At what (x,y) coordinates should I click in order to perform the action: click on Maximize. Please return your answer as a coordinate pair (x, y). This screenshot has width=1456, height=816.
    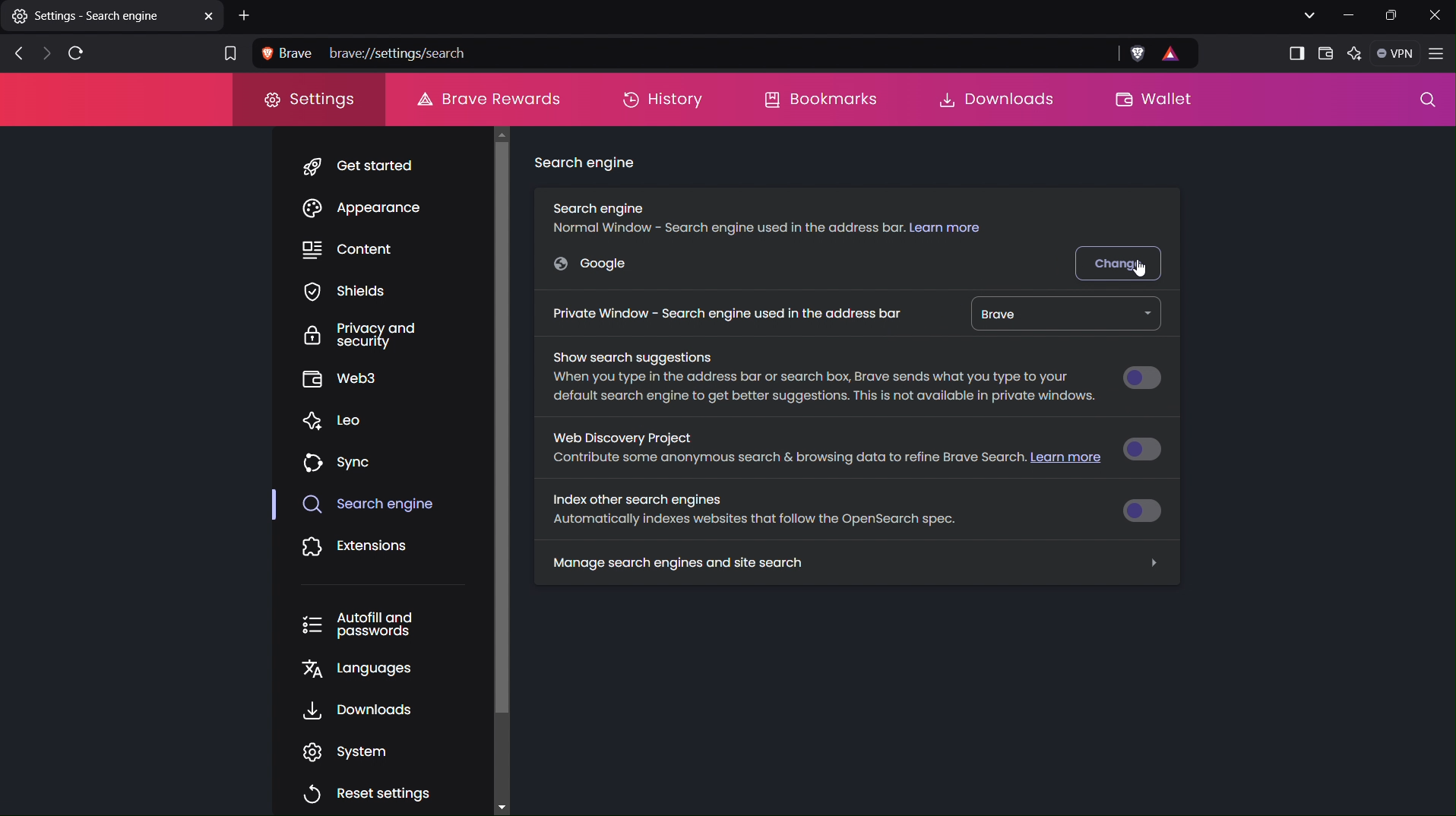
    Looking at the image, I should click on (1393, 16).